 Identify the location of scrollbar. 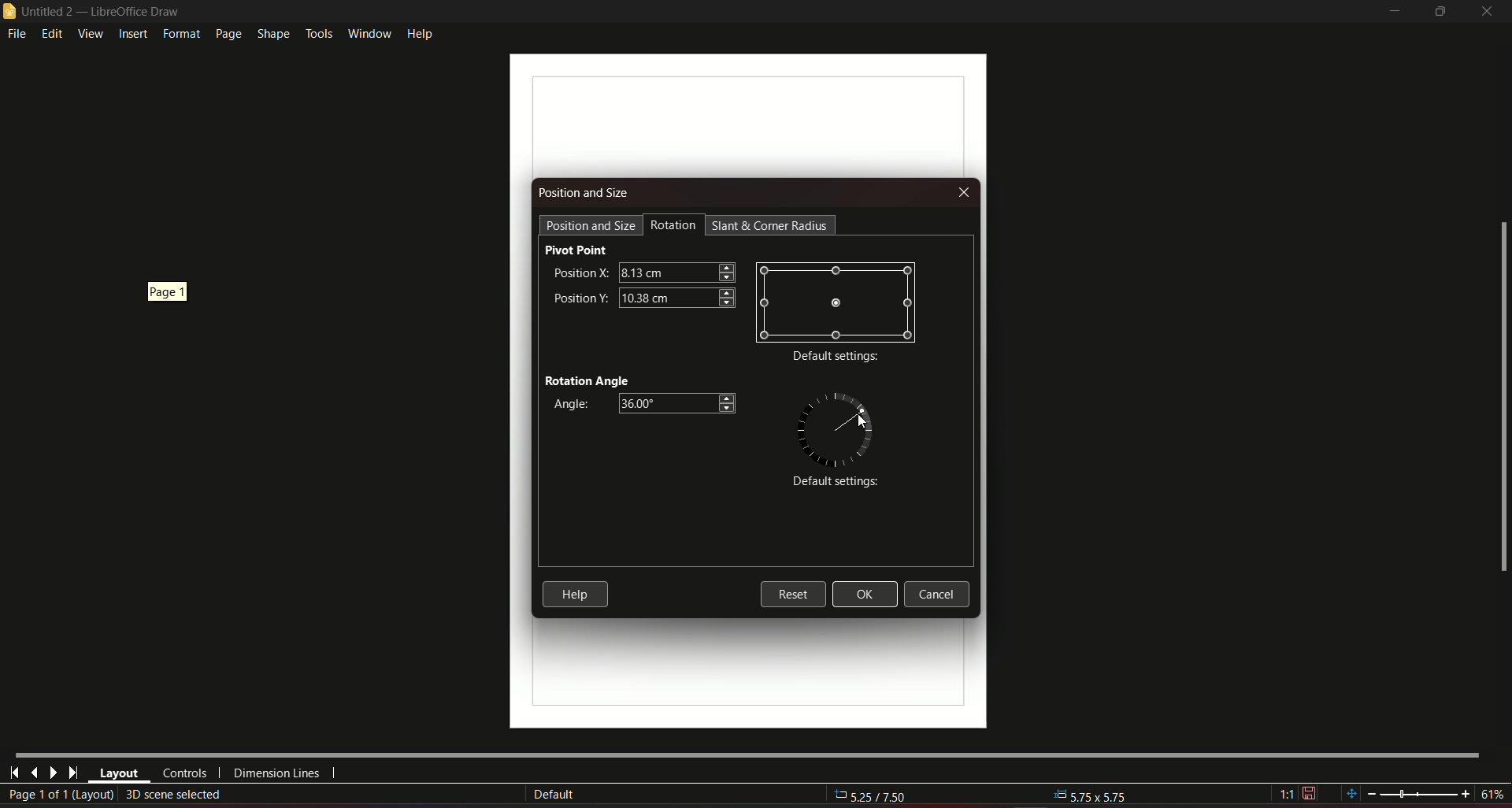
(1502, 398).